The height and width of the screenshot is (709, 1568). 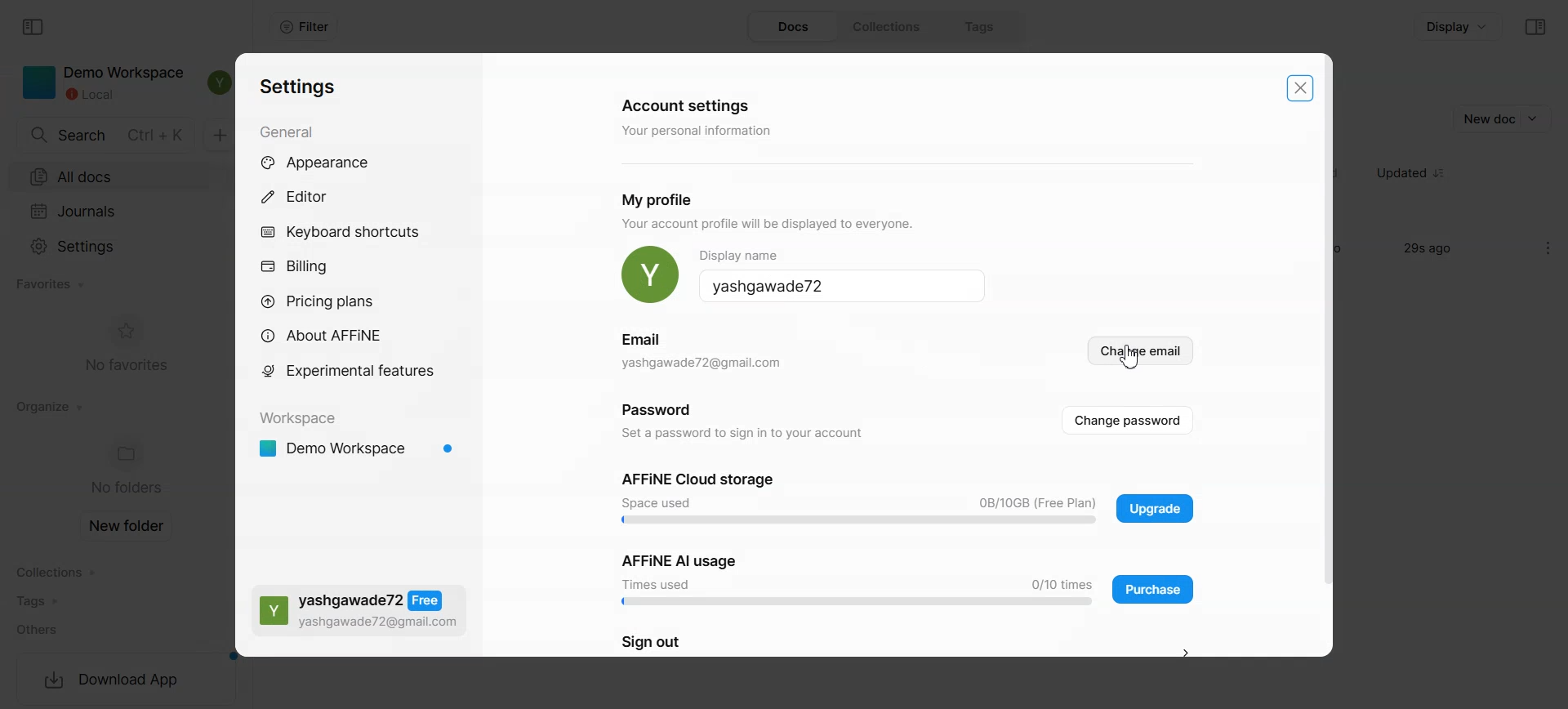 What do you see at coordinates (768, 226) in the screenshot?
I see `your account profile will be displayed to everyone` at bounding box center [768, 226].